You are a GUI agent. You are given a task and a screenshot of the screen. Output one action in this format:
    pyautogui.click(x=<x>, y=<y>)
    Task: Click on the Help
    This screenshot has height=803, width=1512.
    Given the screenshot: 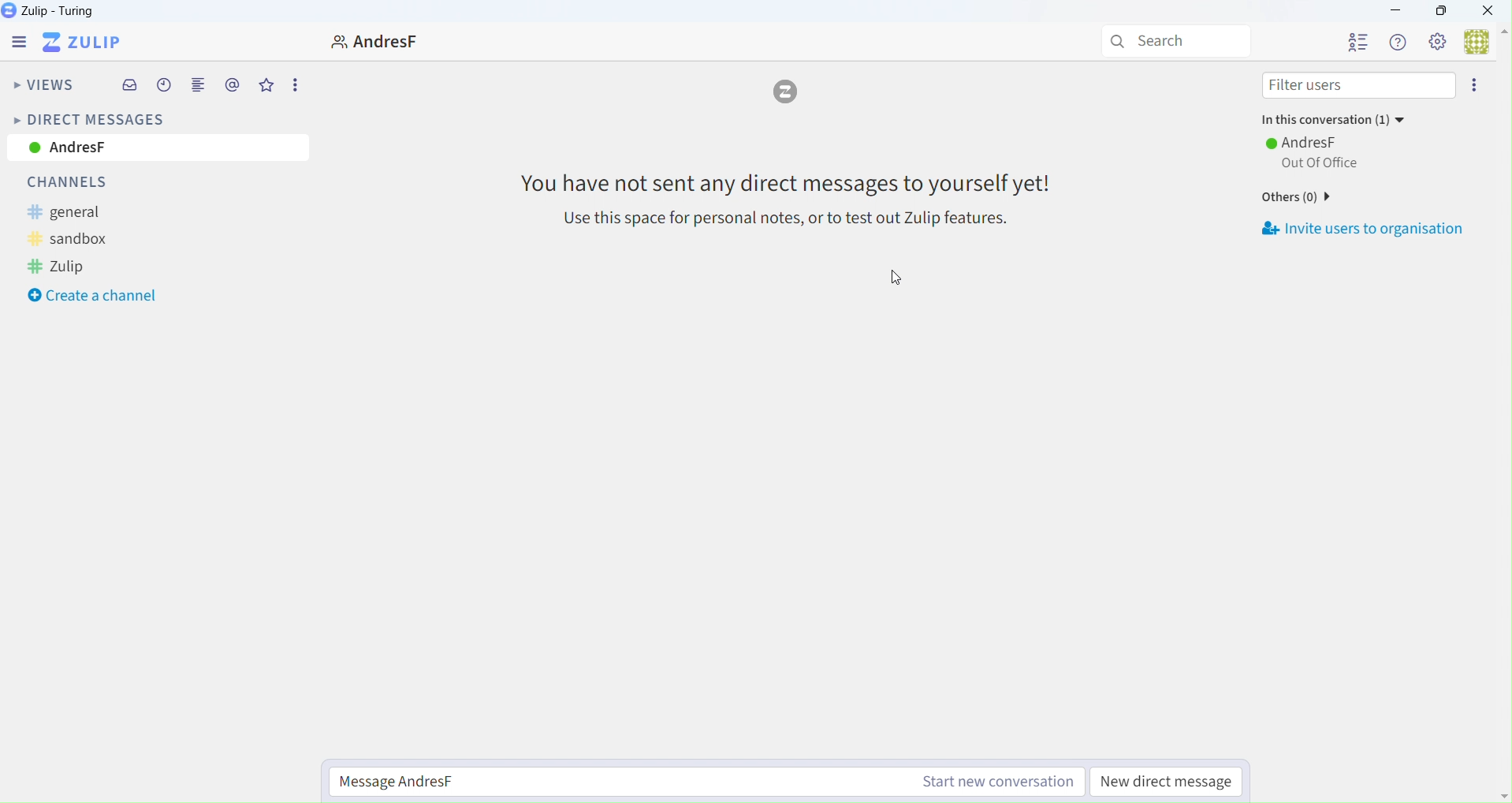 What is the action you would take?
    pyautogui.click(x=1398, y=43)
    